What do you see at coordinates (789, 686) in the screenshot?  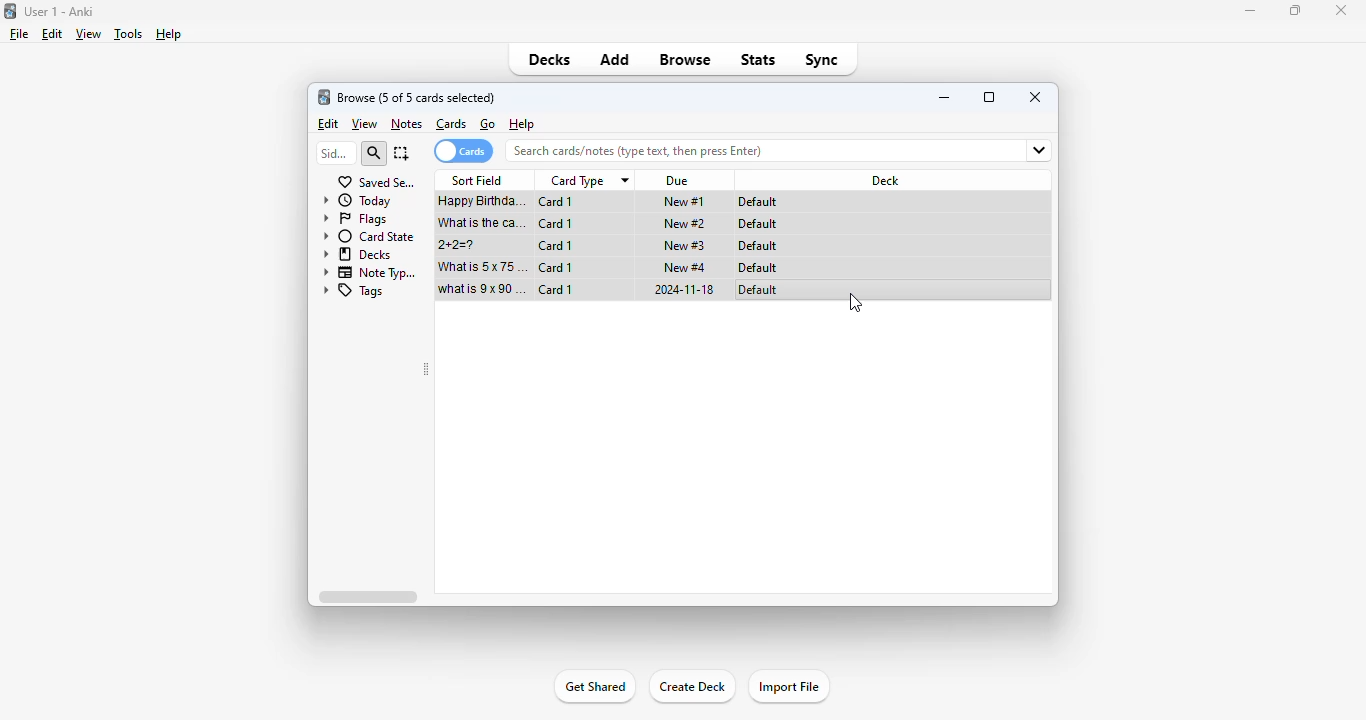 I see `import file` at bounding box center [789, 686].